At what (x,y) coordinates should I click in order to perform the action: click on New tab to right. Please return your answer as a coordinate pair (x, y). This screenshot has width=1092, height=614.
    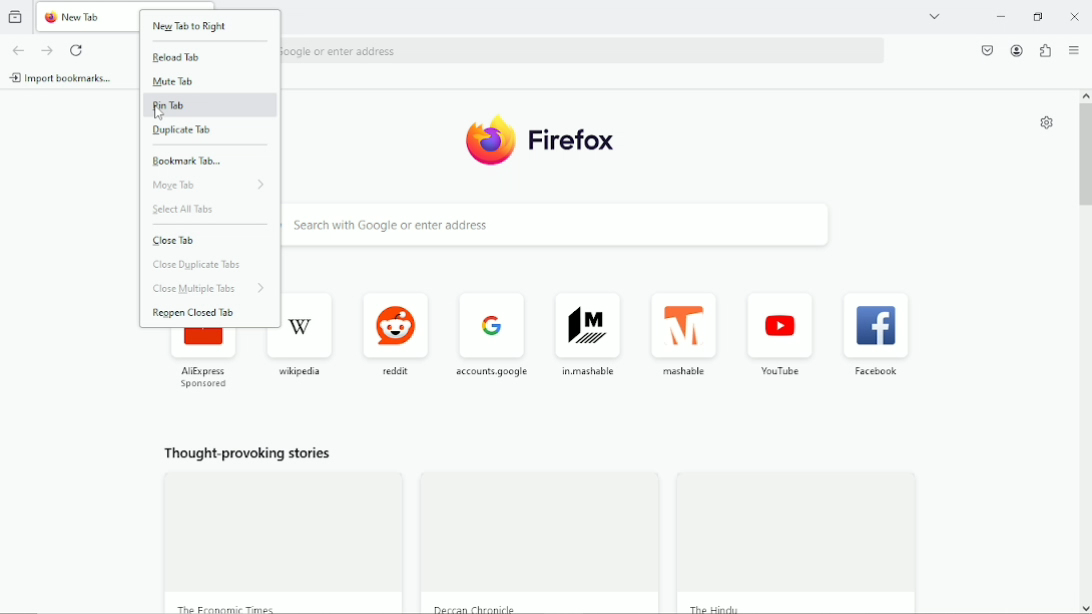
    Looking at the image, I should click on (190, 27).